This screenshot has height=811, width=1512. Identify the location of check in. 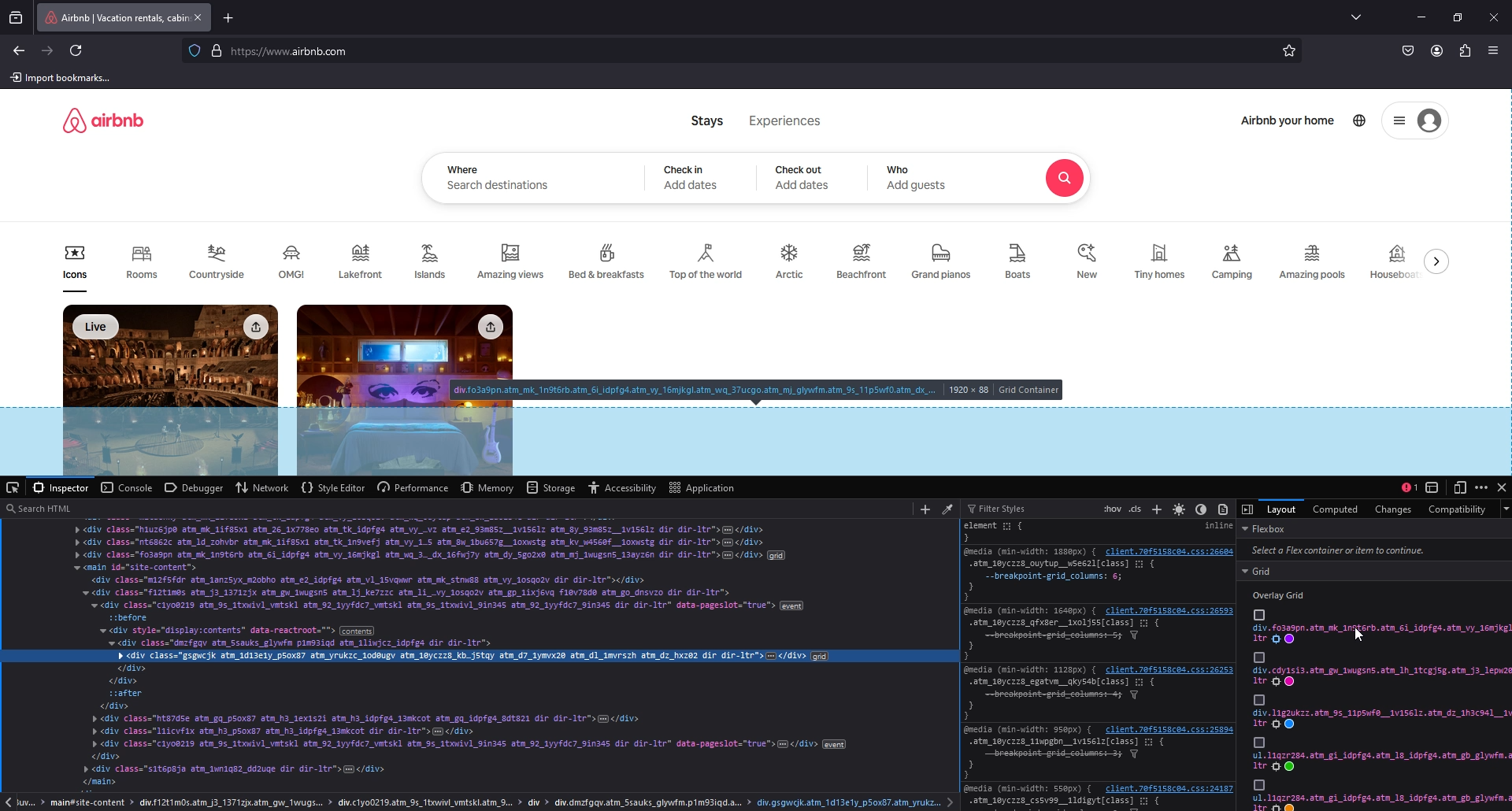
(687, 168).